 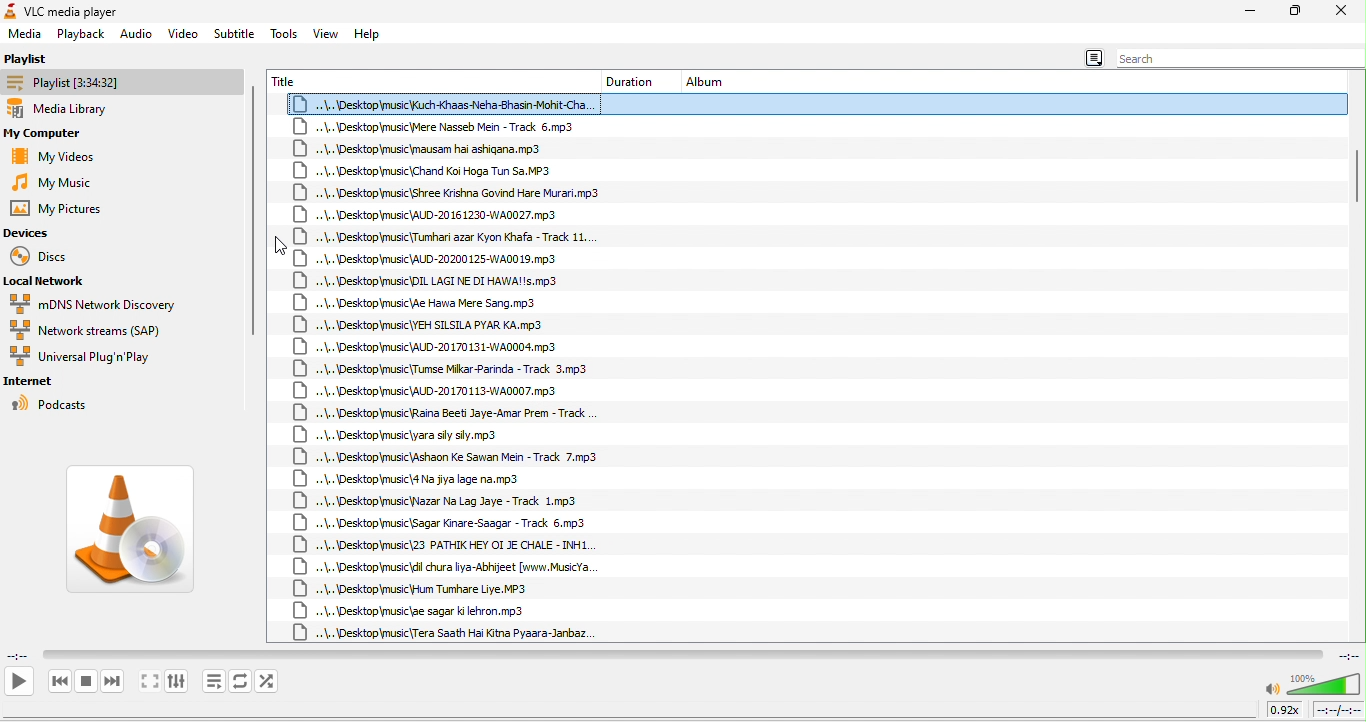 I want to click on maximize, so click(x=1296, y=12).